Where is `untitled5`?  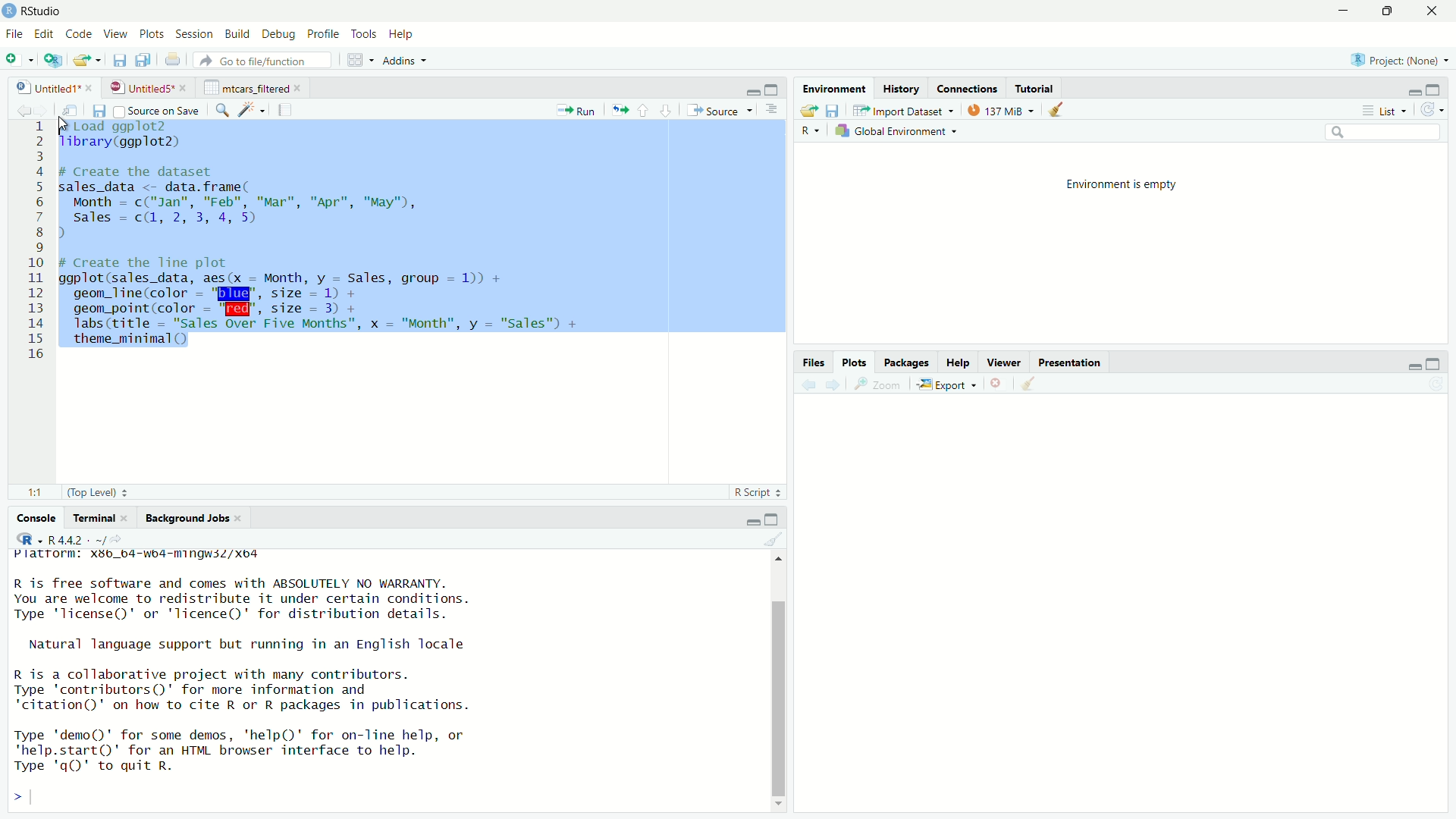 untitled5 is located at coordinates (140, 88).